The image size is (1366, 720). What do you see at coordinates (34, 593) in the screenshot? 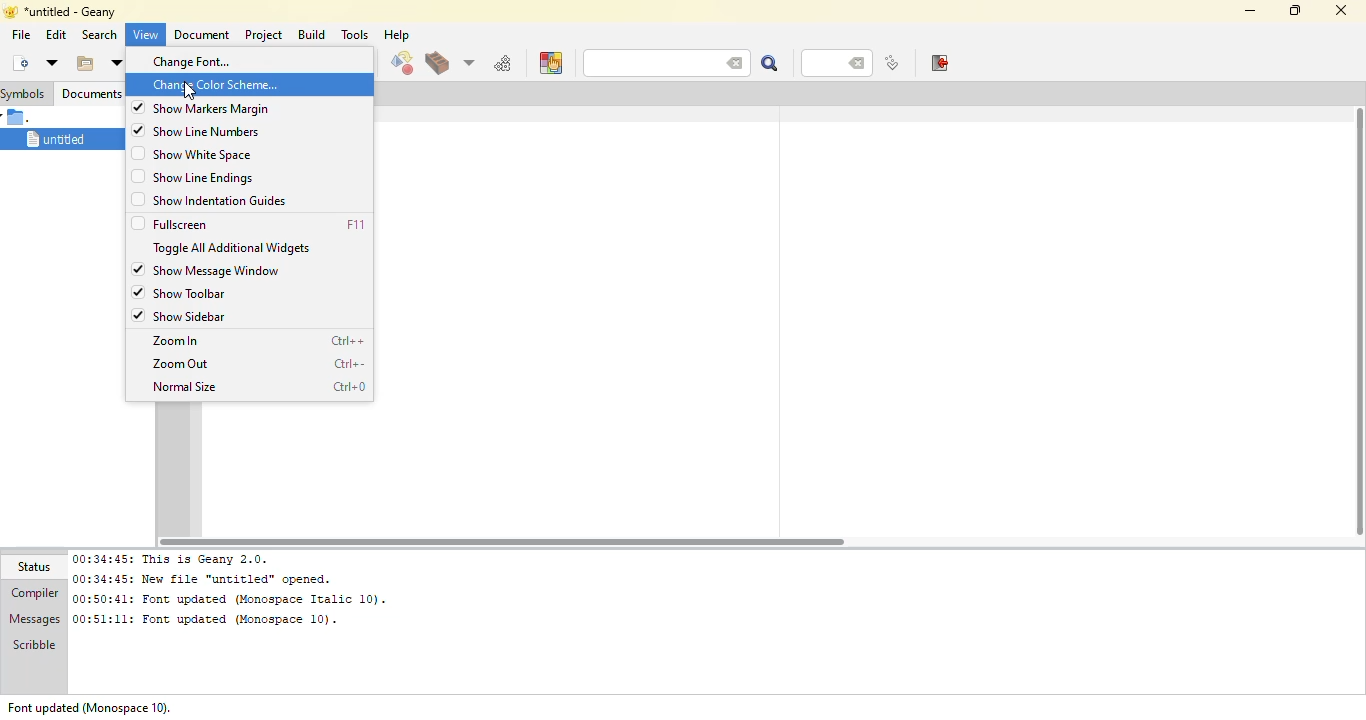
I see `compiler` at bounding box center [34, 593].